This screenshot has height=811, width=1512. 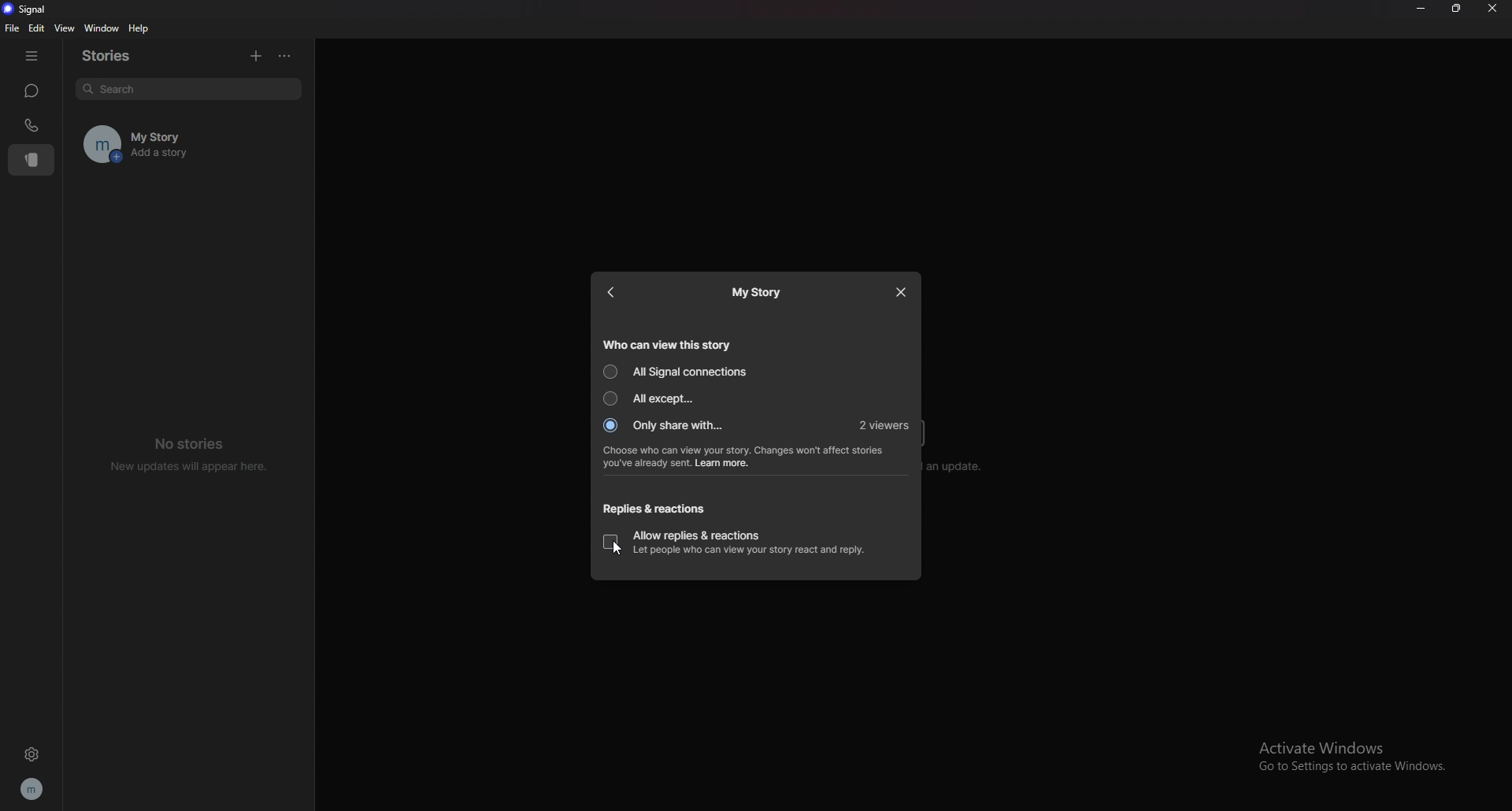 I want to click on minimize, so click(x=1421, y=9).